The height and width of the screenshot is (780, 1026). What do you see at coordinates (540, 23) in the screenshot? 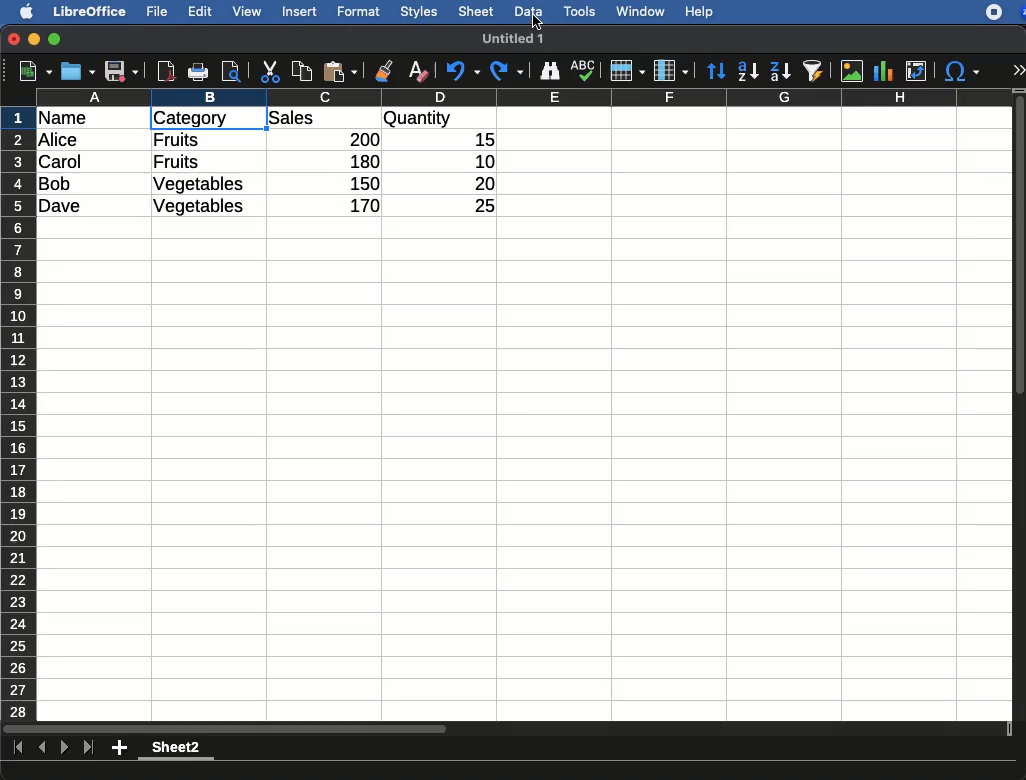
I see ` cursor` at bounding box center [540, 23].